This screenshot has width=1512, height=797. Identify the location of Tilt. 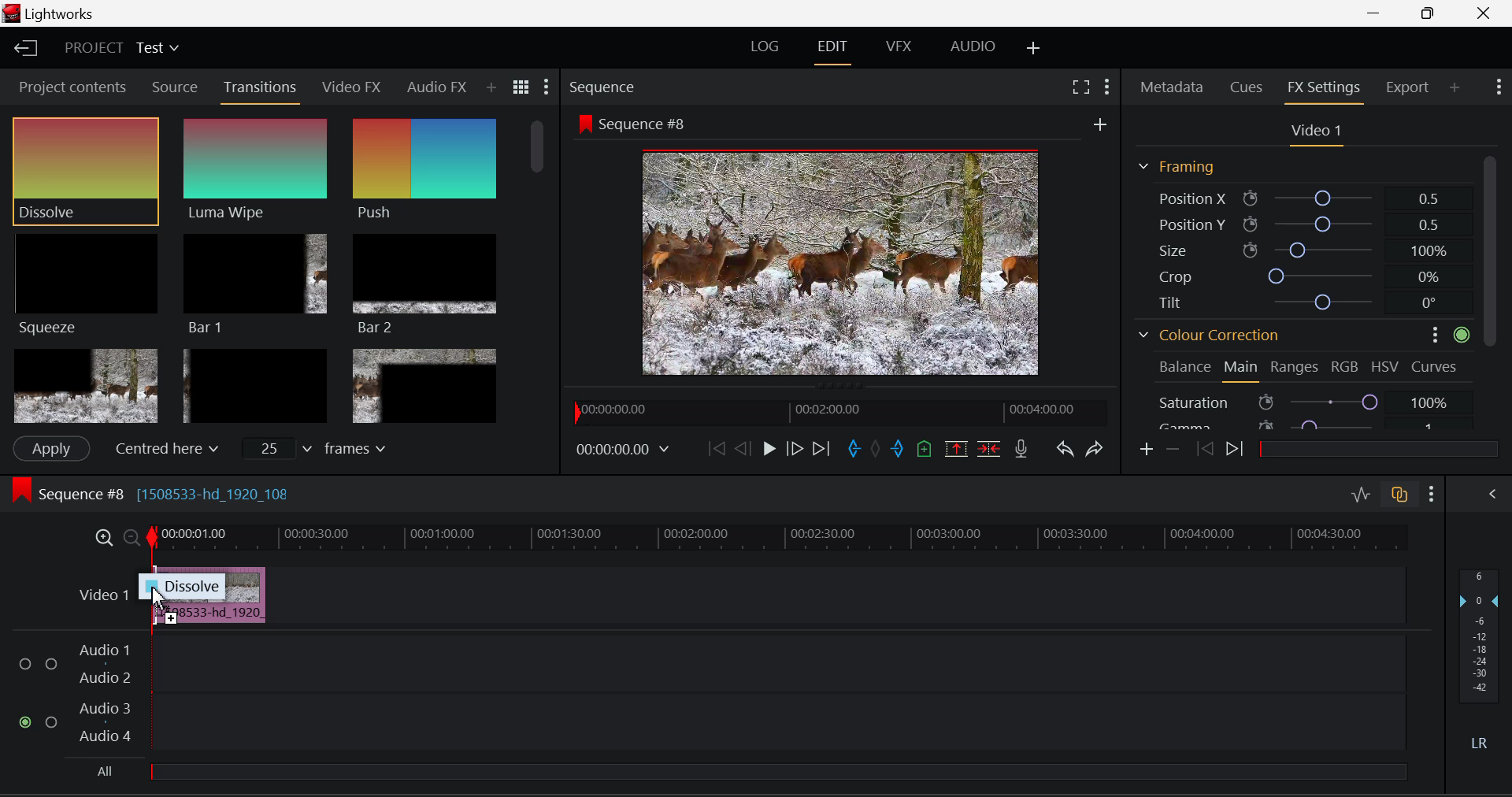
(1299, 301).